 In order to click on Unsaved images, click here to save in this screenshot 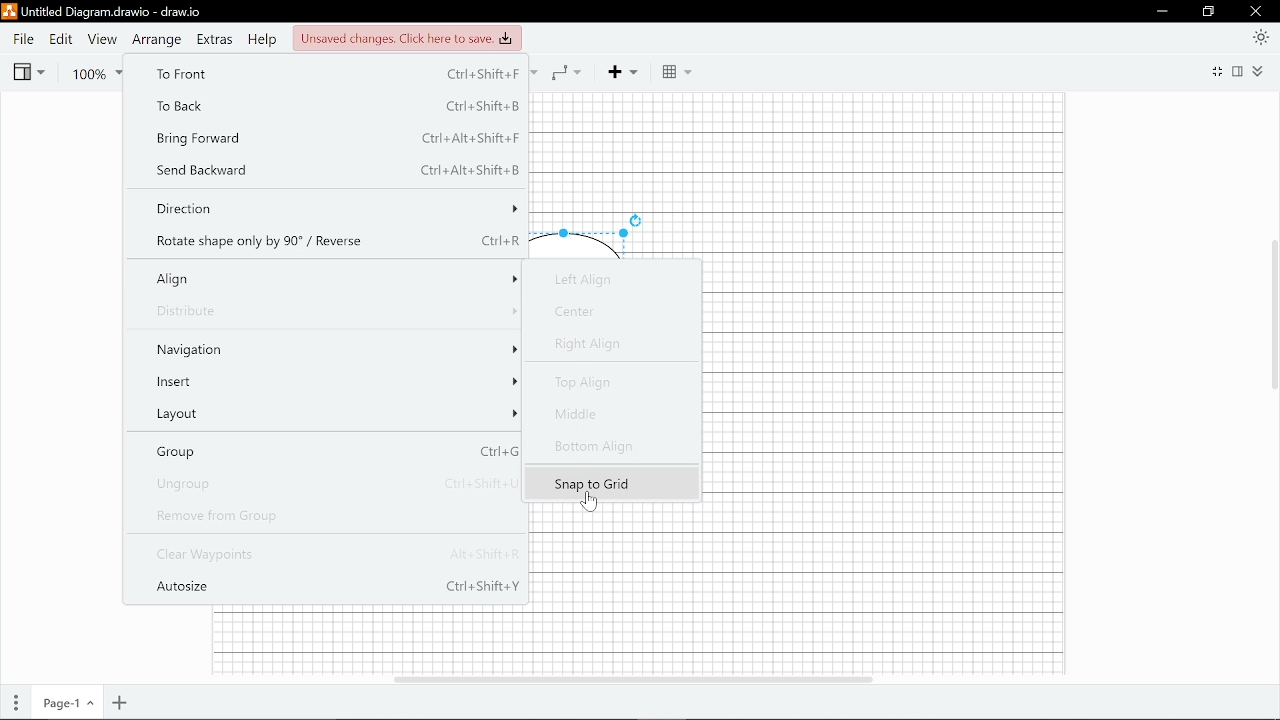, I will do `click(406, 39)`.